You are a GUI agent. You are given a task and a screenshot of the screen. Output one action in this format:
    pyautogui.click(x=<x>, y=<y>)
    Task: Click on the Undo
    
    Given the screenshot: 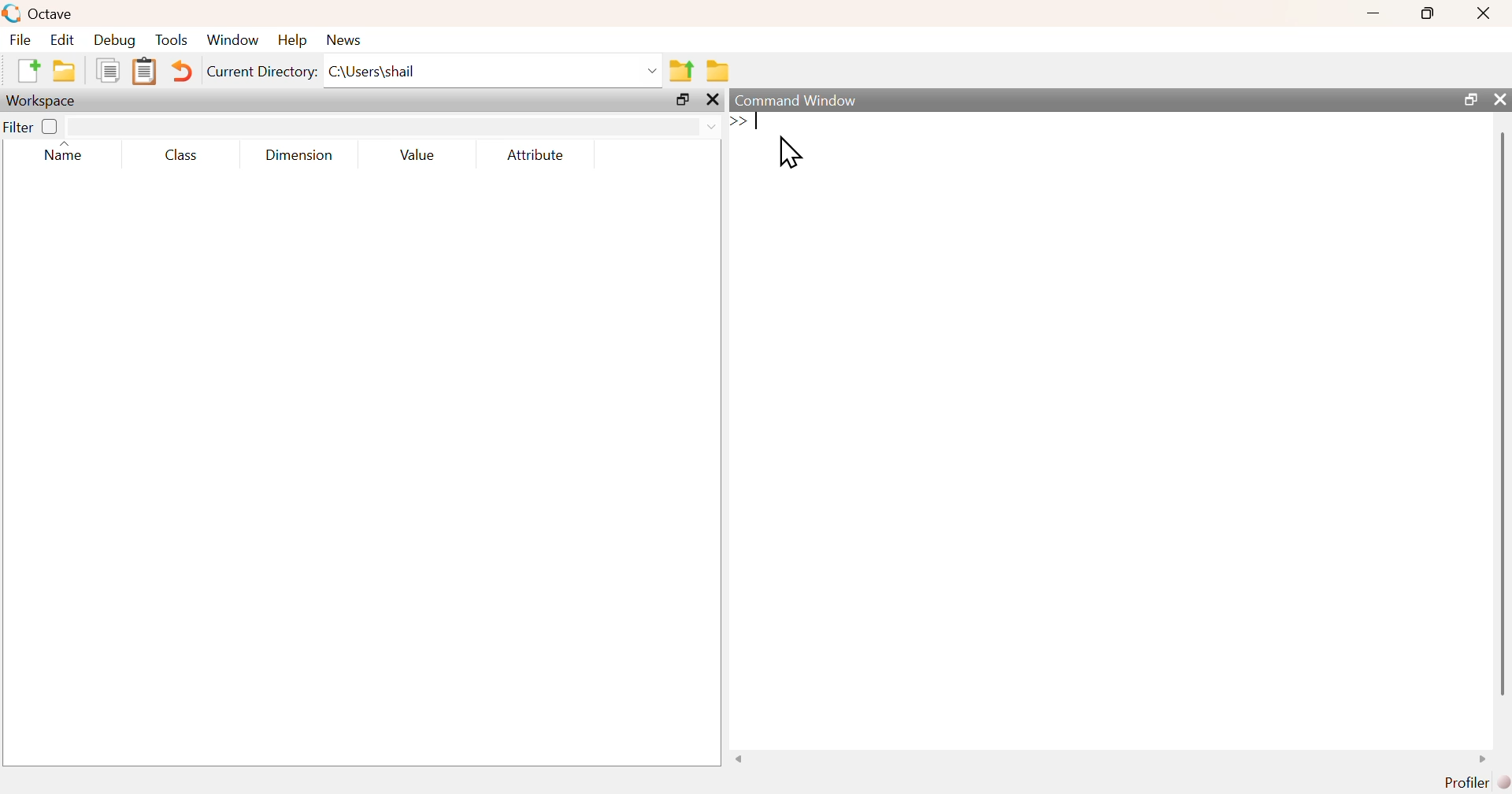 What is the action you would take?
    pyautogui.click(x=180, y=71)
    